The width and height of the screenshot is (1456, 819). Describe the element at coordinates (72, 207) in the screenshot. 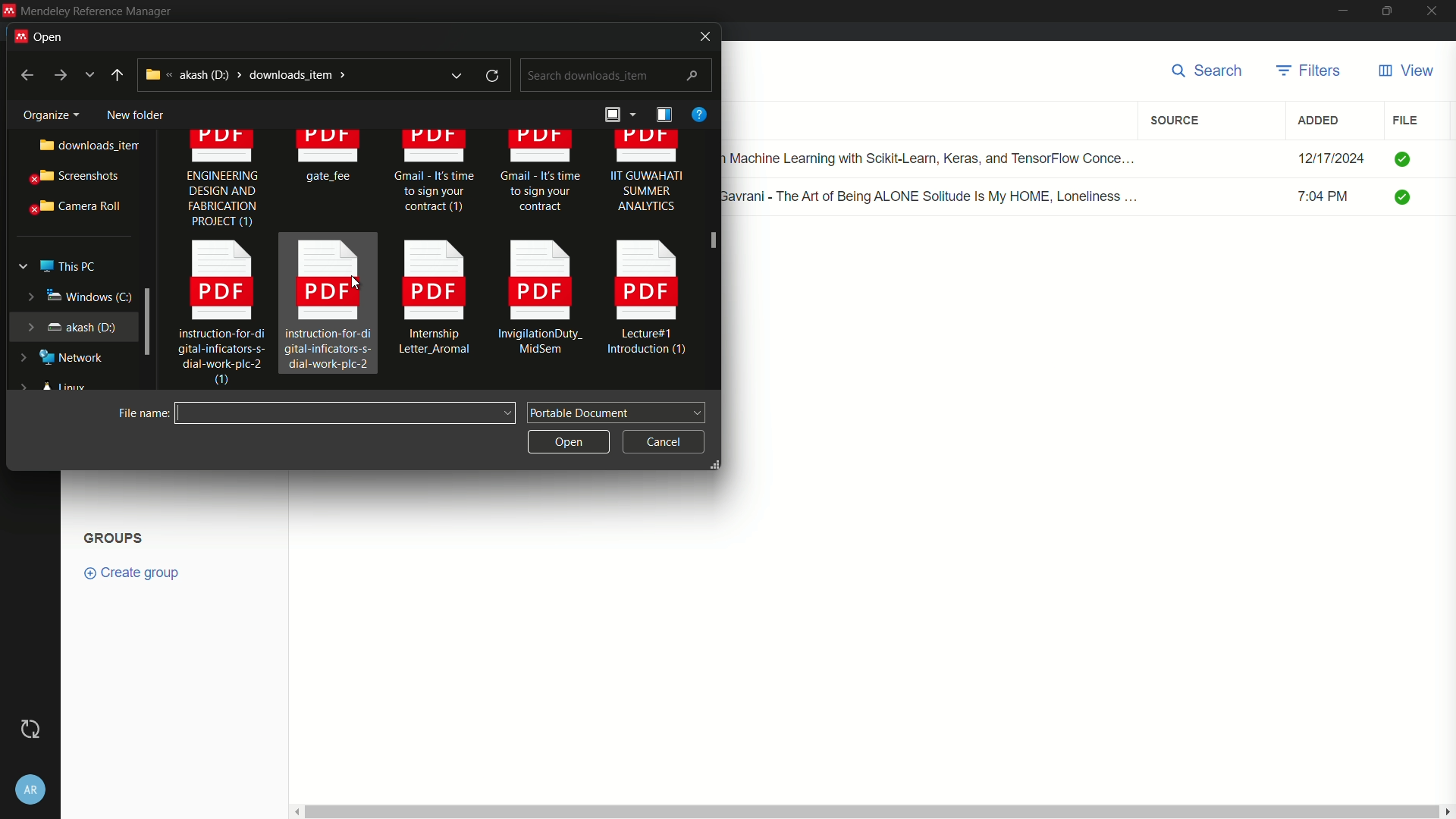

I see `camera roll` at that location.